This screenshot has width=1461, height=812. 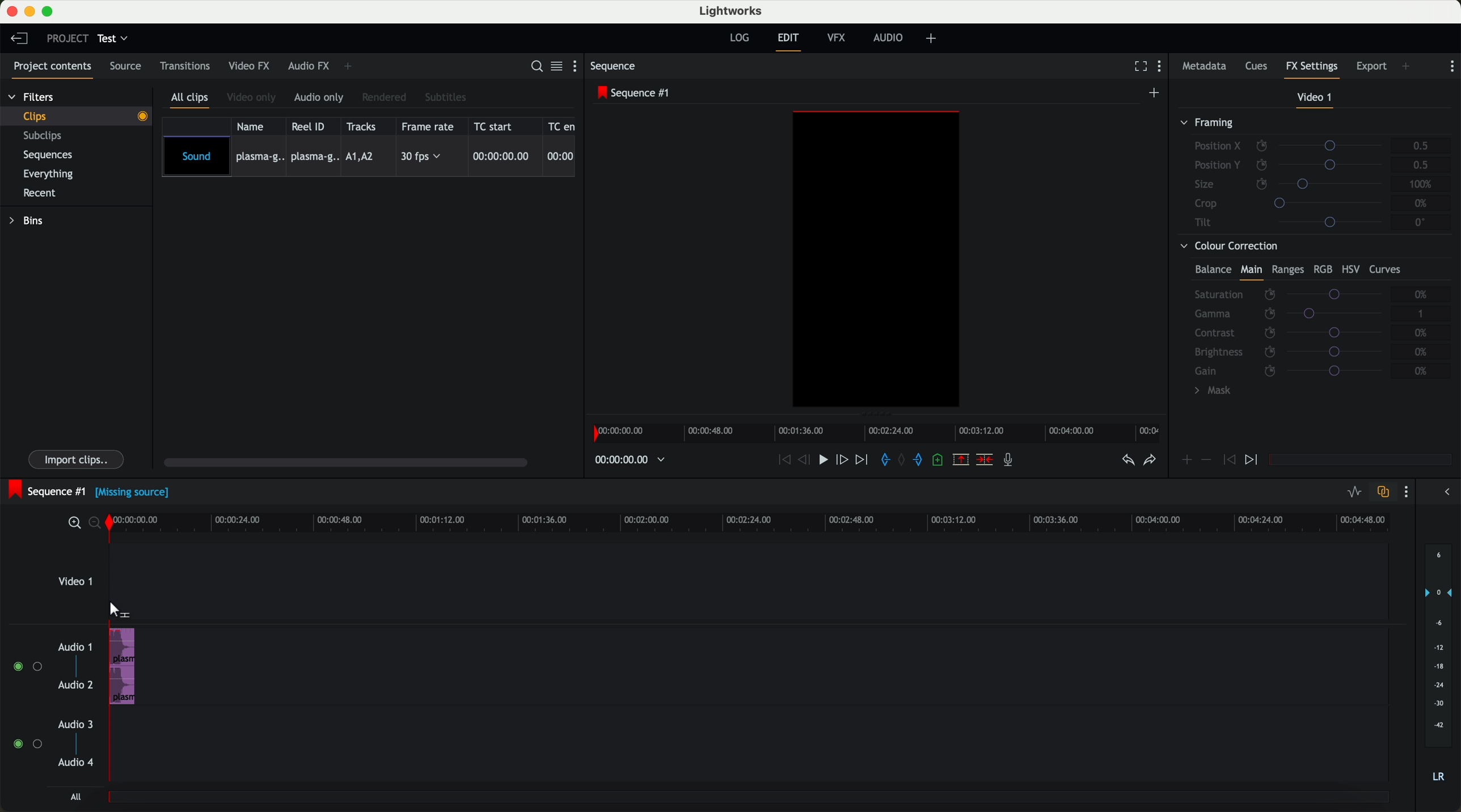 I want to click on audio FX, so click(x=308, y=66).